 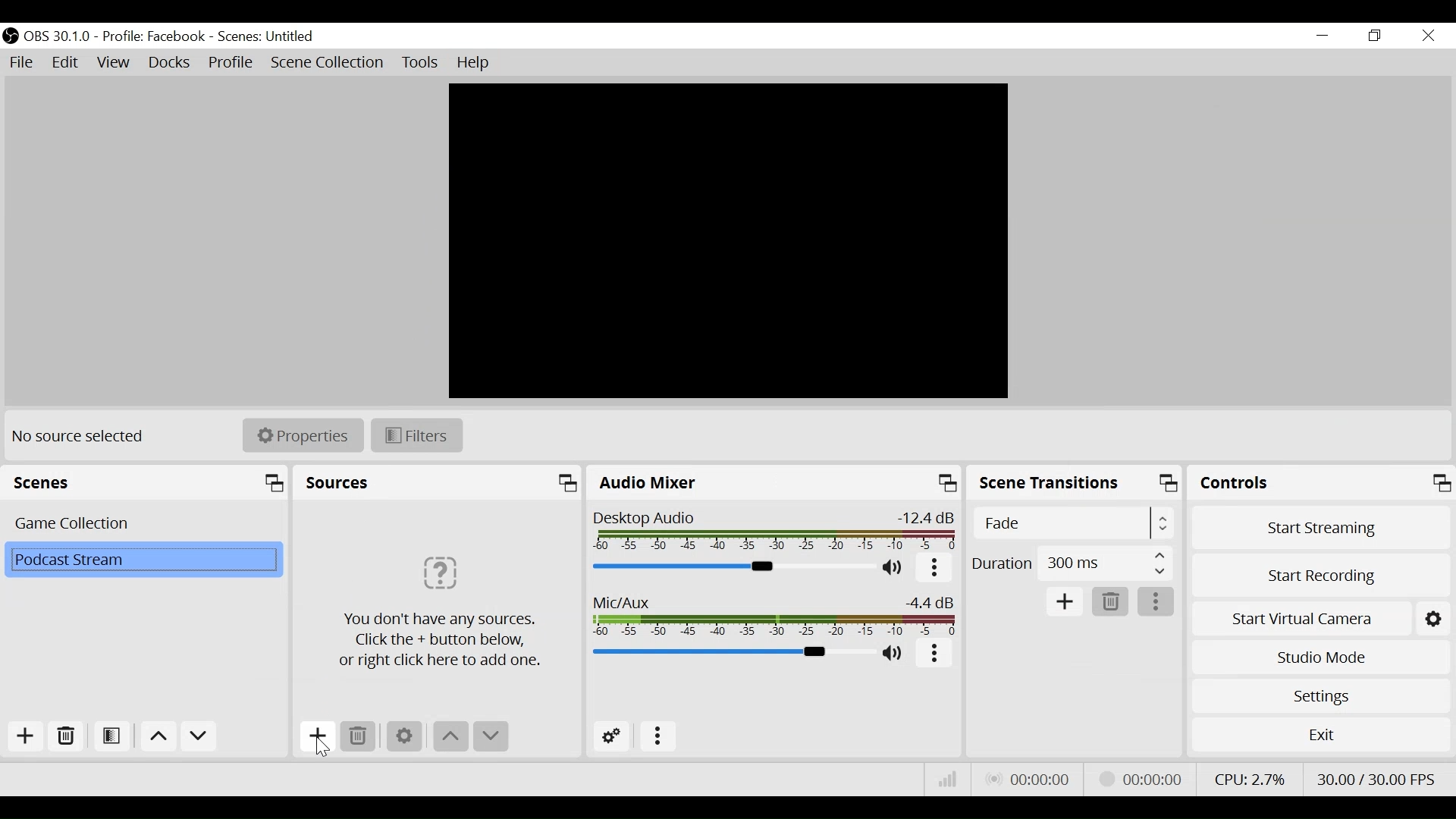 I want to click on OBS 30.1.0 - Profile Facebook - Scenes Untitled, so click(x=173, y=36).